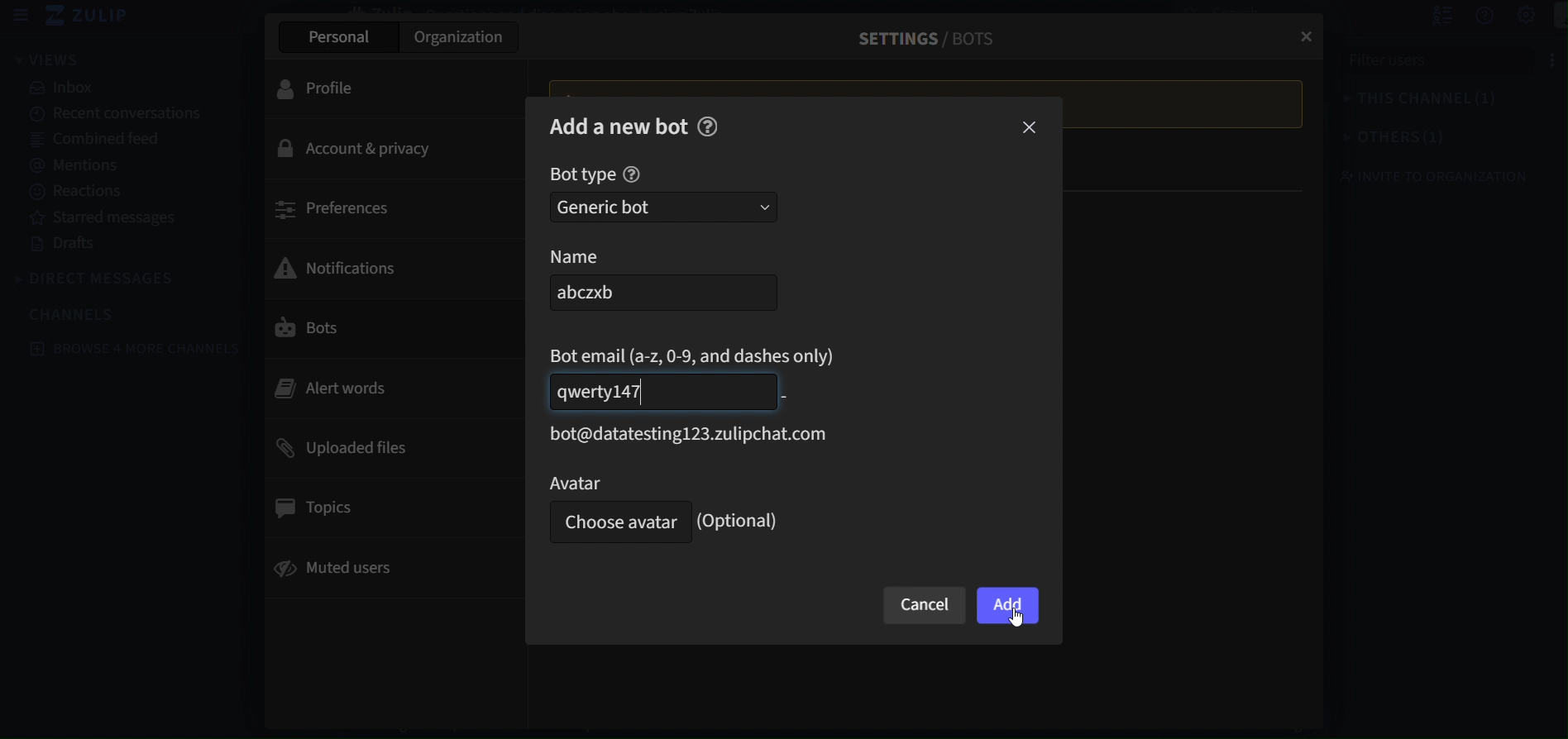 The image size is (1568, 739). I want to click on this channel(1), so click(1403, 102).